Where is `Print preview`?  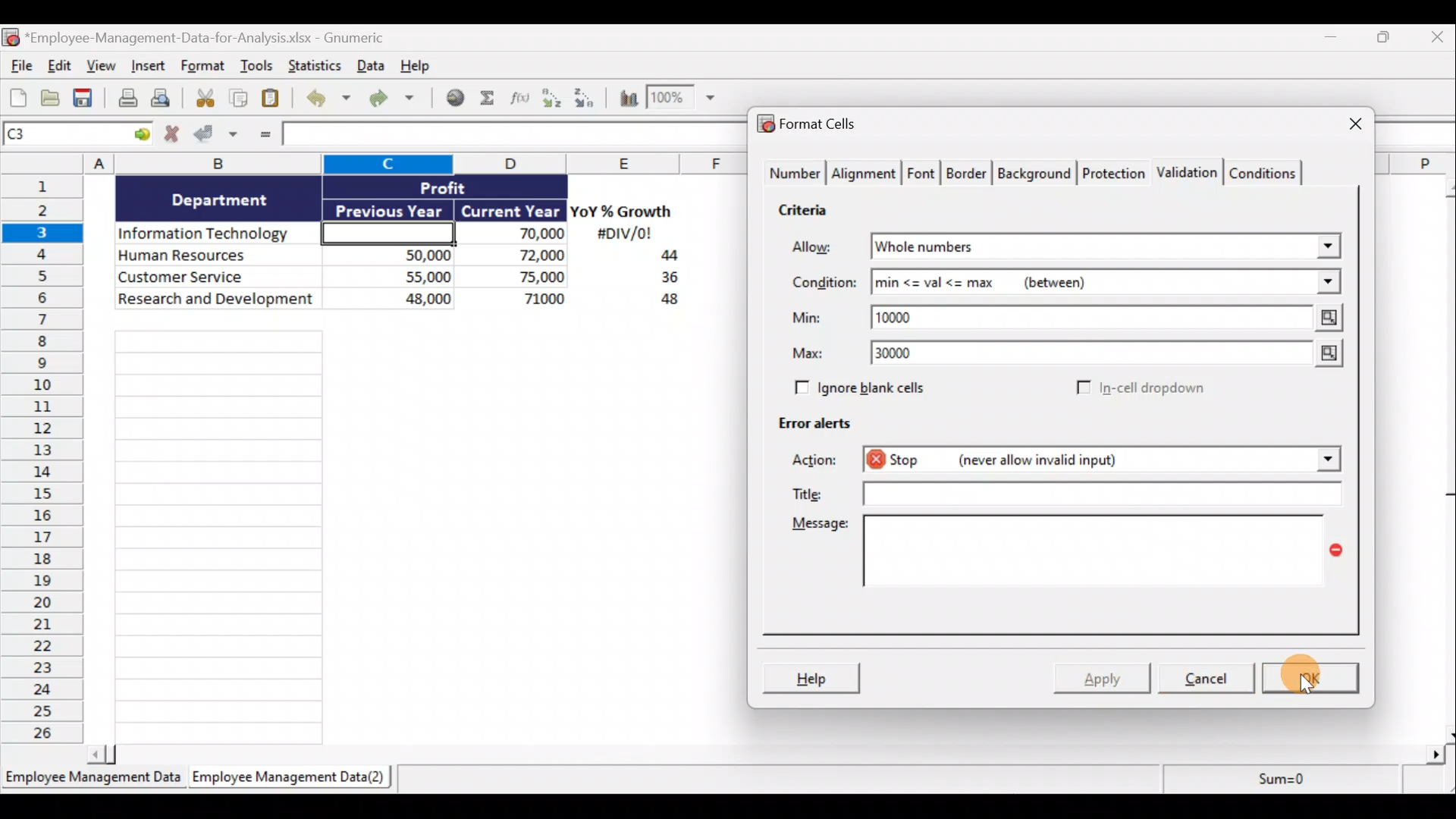
Print preview is located at coordinates (169, 102).